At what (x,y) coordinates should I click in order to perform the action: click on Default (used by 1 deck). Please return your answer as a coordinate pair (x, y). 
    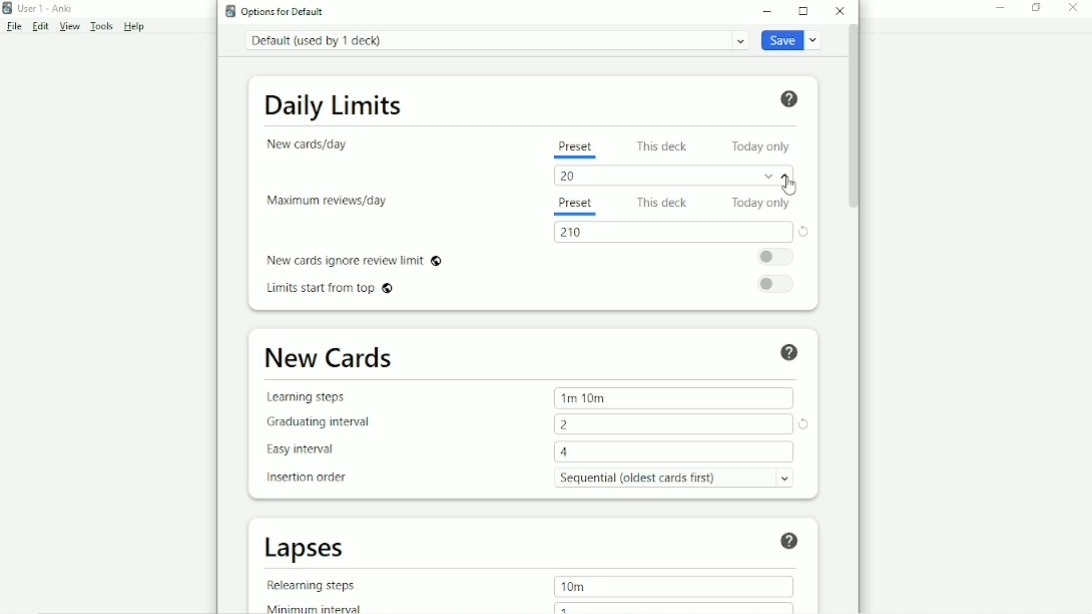
    Looking at the image, I should click on (495, 40).